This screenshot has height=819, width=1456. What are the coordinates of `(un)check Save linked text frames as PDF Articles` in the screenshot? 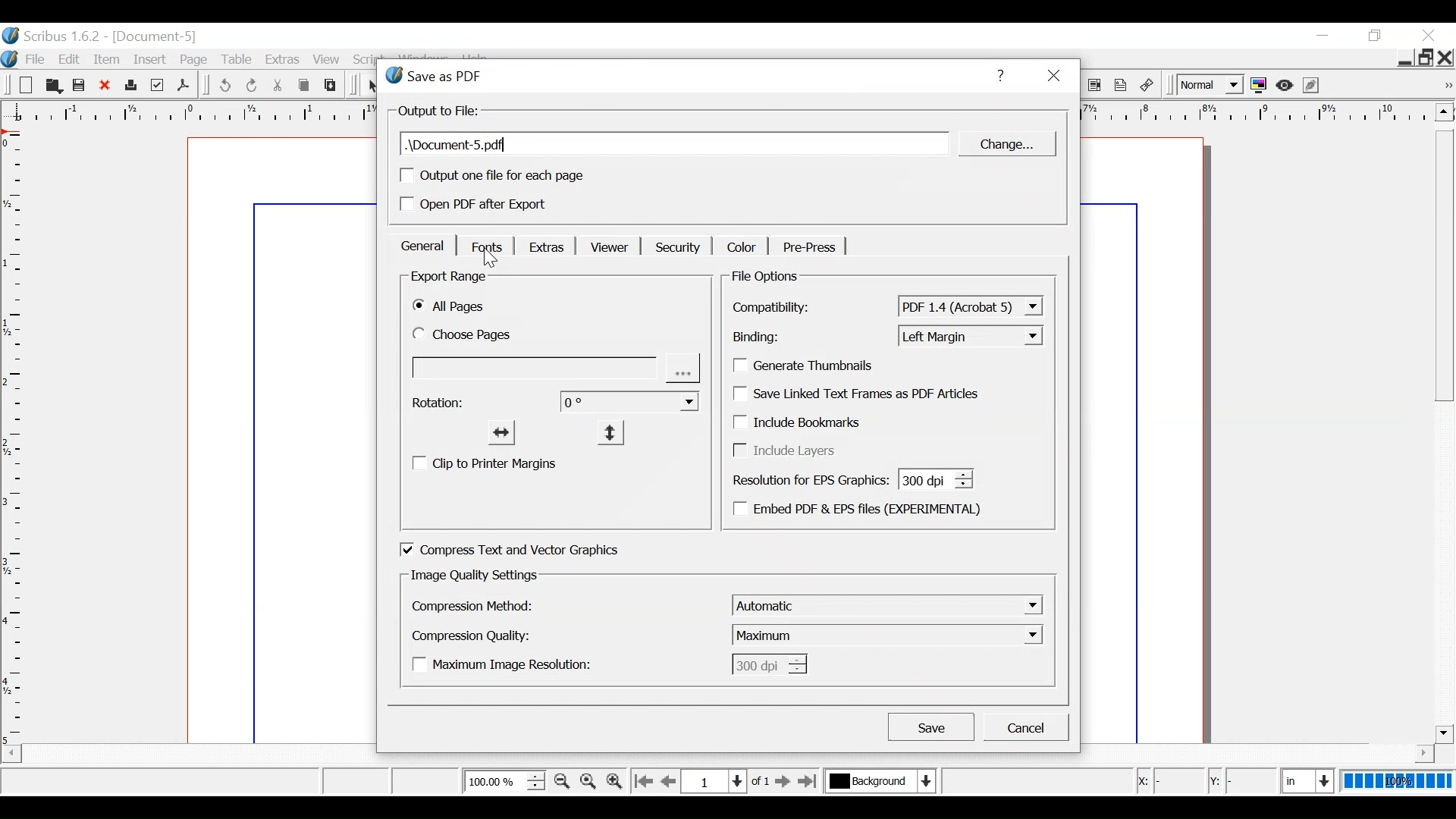 It's located at (861, 394).